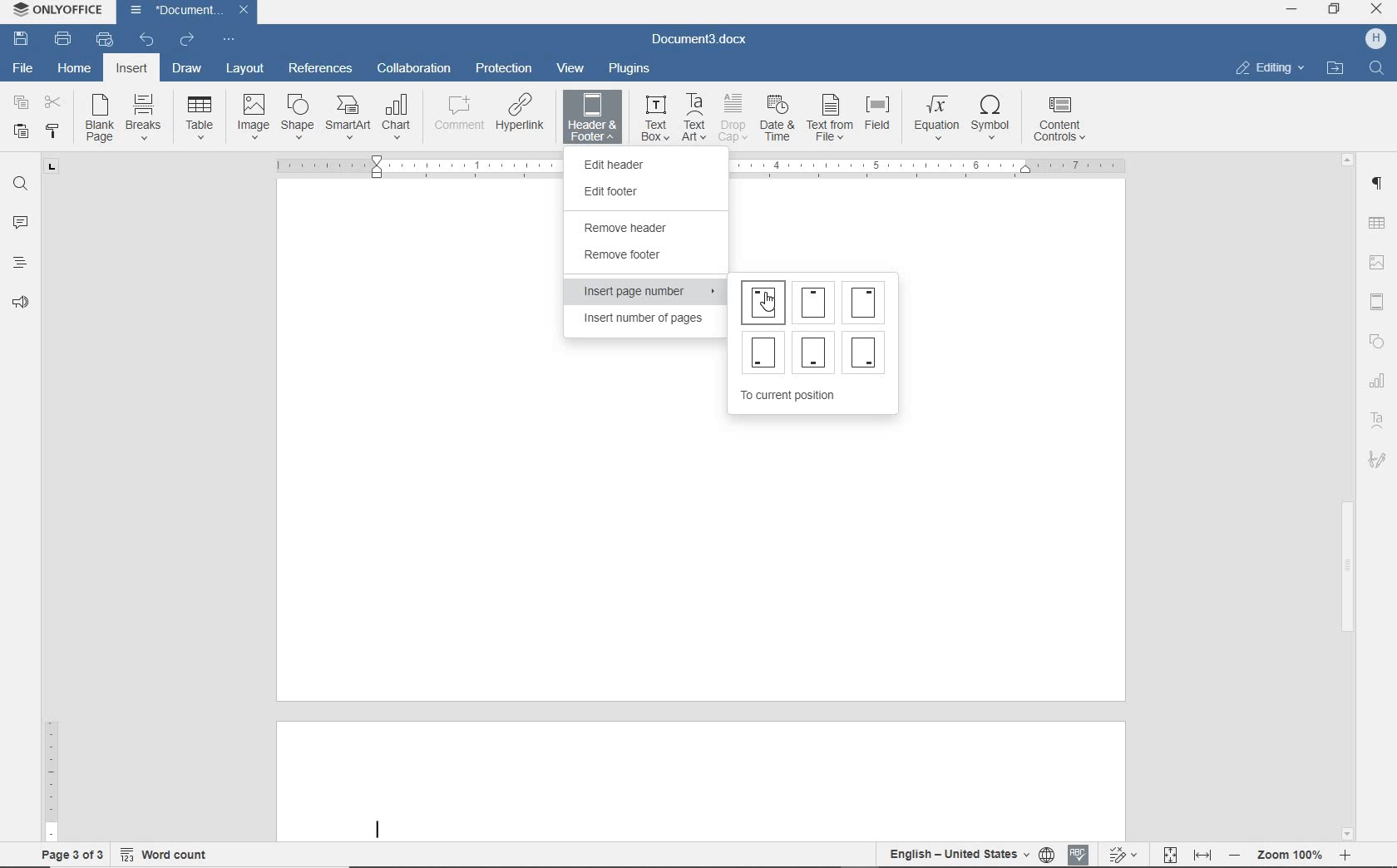  I want to click on HEADINGS, so click(17, 264).